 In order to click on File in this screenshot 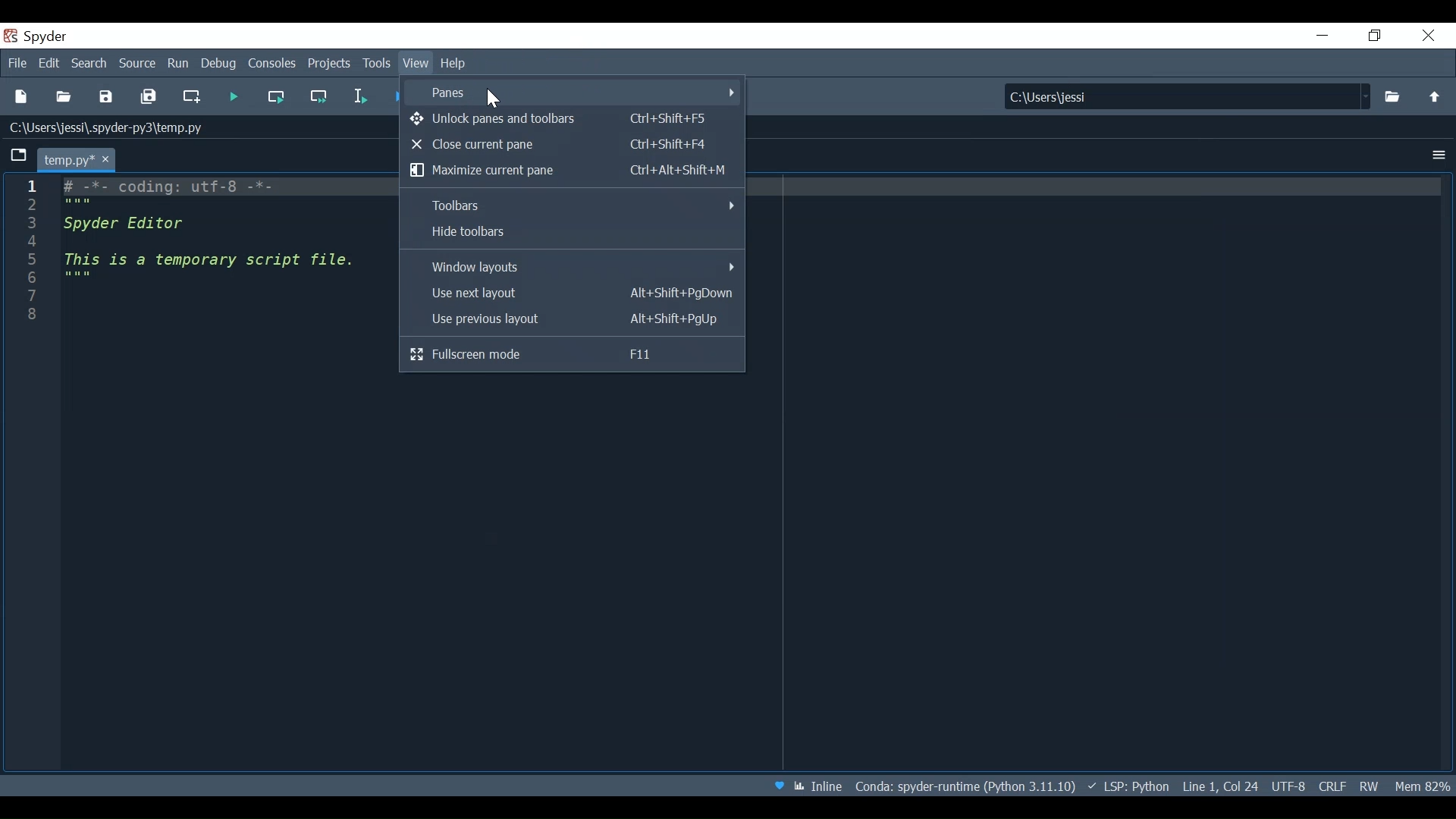, I will do `click(17, 63)`.